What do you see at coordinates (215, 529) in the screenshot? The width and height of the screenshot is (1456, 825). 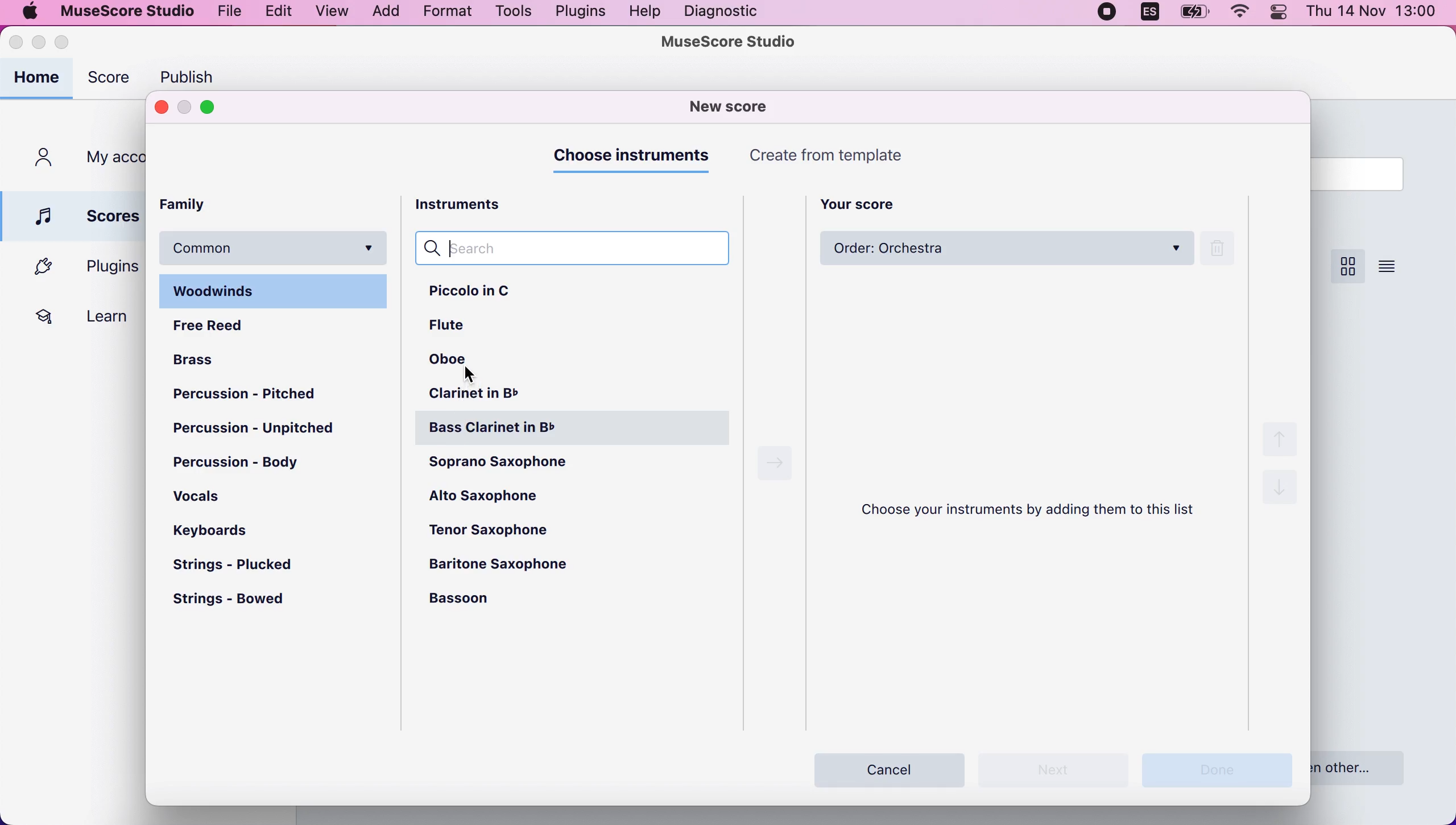 I see `keyboards` at bounding box center [215, 529].